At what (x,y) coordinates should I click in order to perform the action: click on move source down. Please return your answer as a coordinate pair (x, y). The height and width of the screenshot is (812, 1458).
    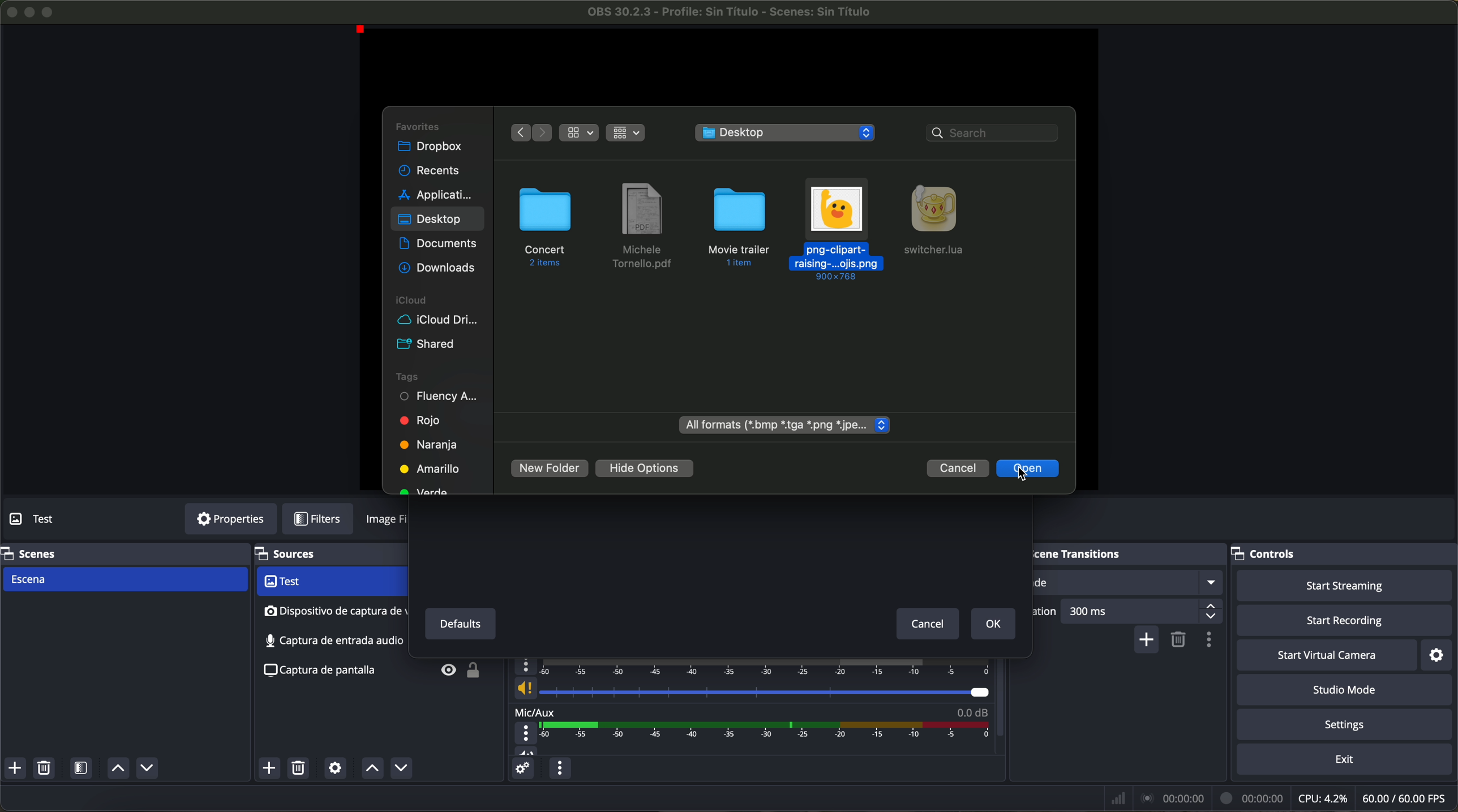
    Looking at the image, I should click on (398, 769).